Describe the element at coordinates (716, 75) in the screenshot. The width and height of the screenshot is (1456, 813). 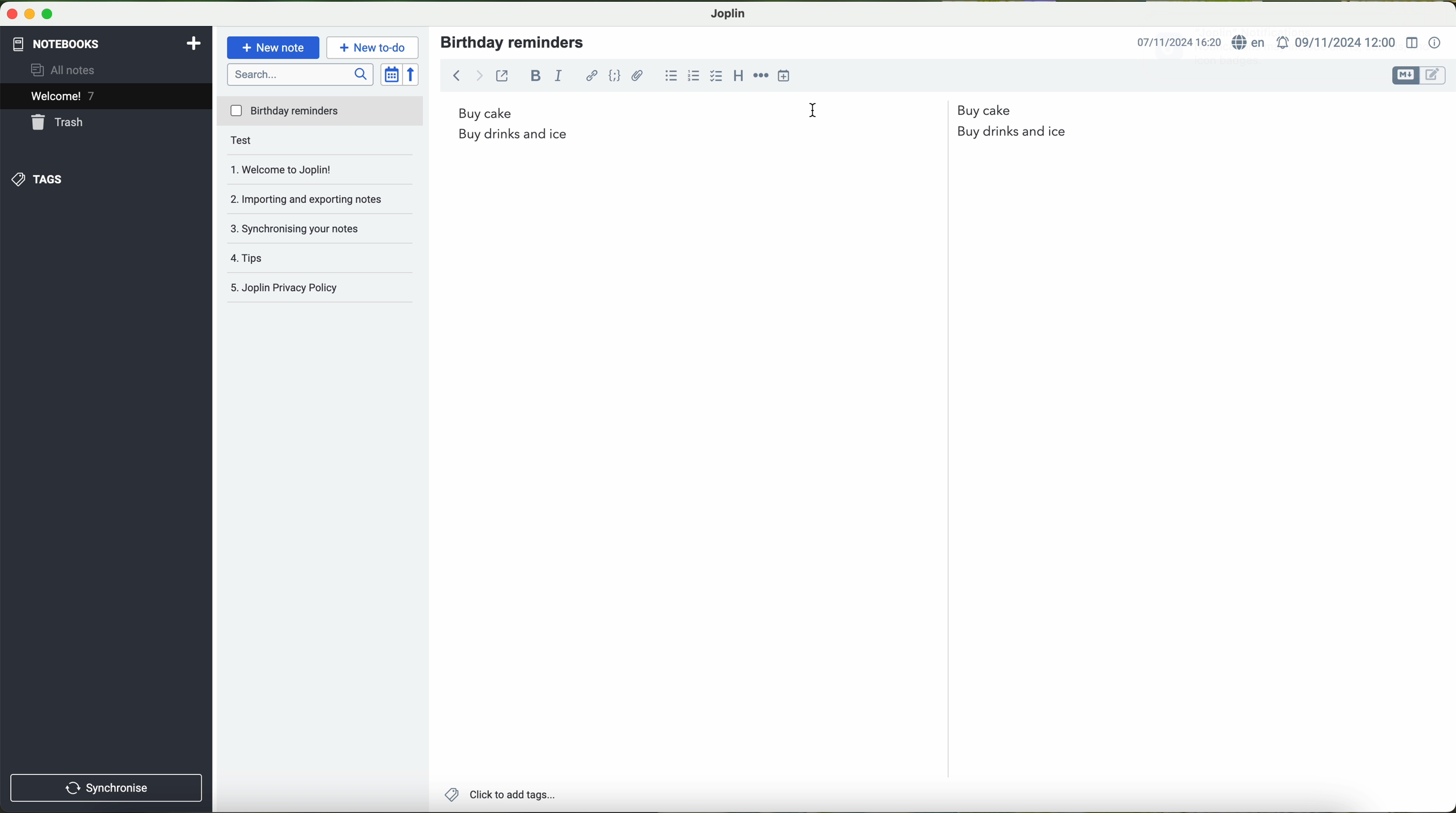
I see `checkbox` at that location.